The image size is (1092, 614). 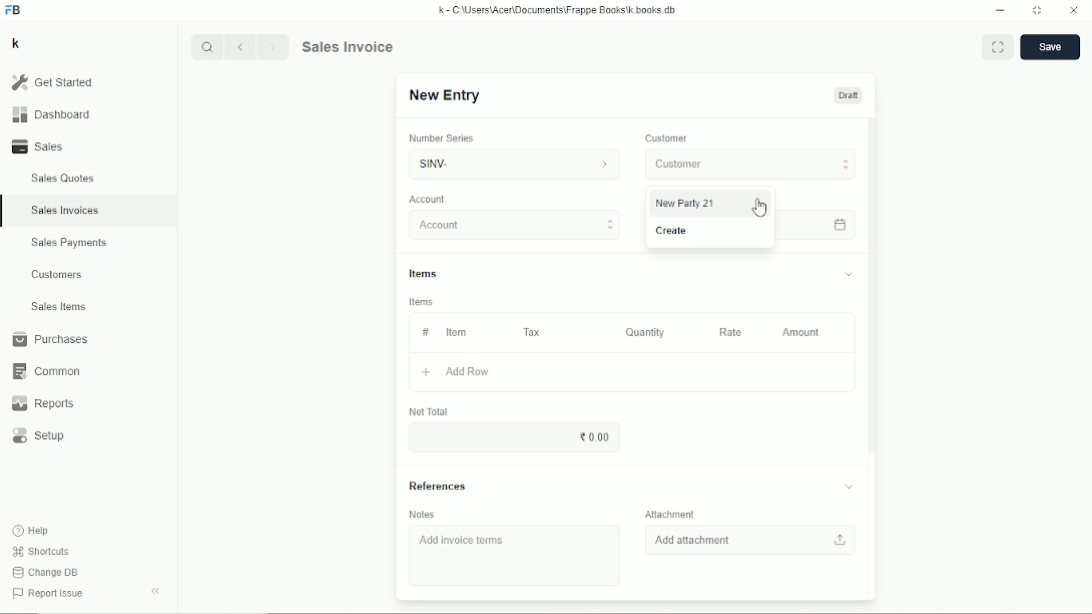 I want to click on Help, so click(x=32, y=530).